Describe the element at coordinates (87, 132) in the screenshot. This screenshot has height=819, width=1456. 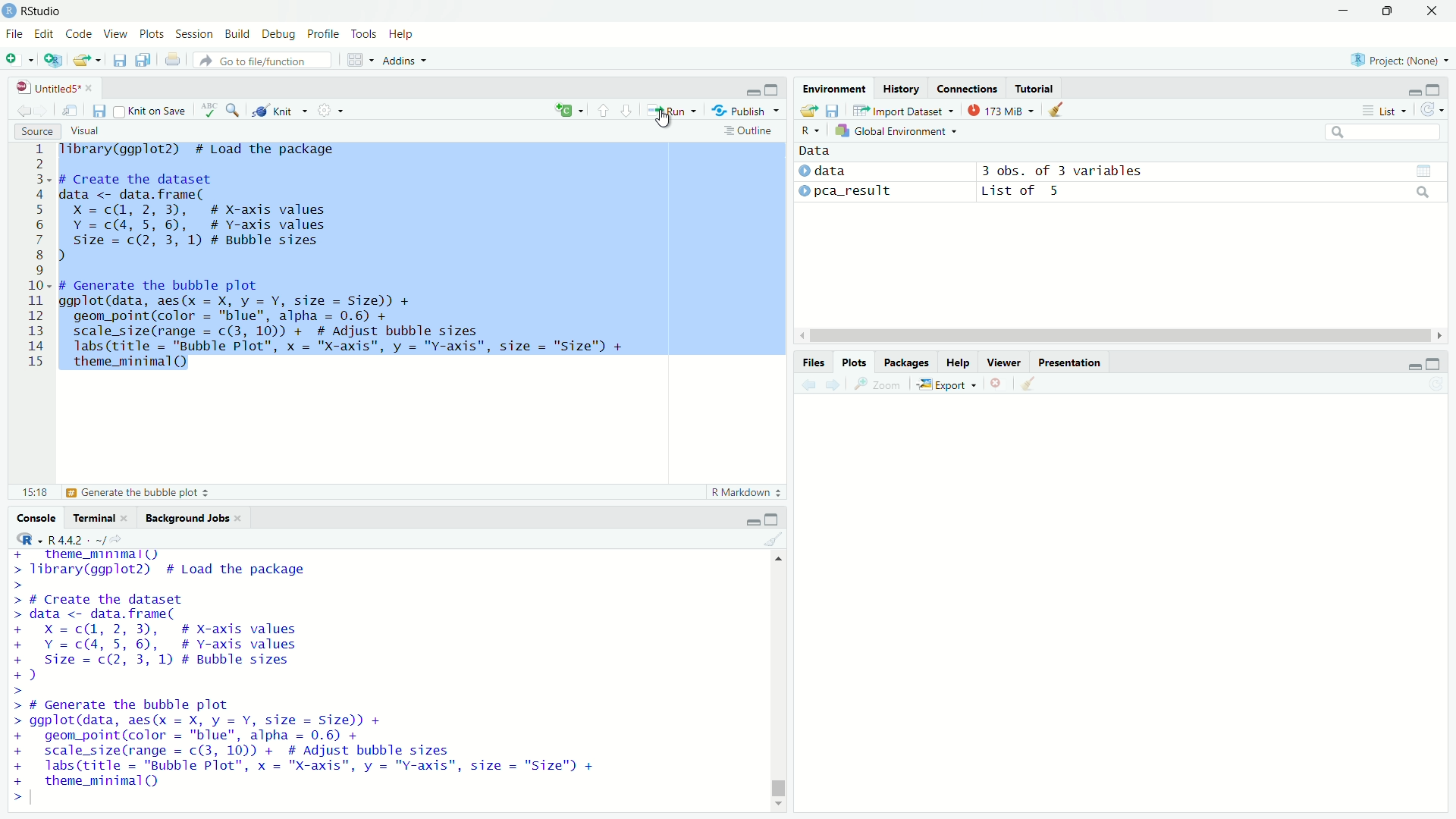
I see `visual` at that location.